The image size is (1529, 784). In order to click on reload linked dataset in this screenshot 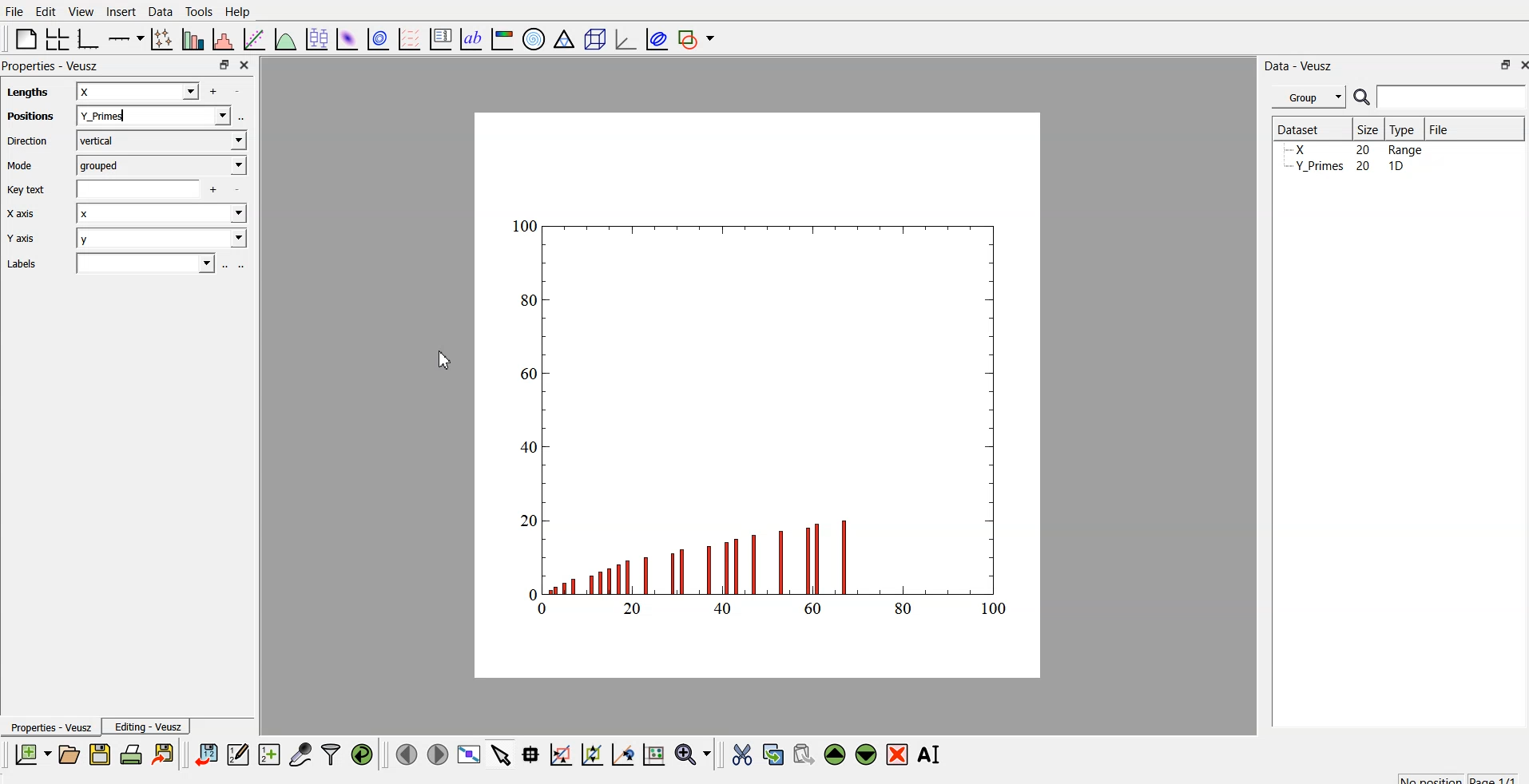, I will do `click(362, 752)`.